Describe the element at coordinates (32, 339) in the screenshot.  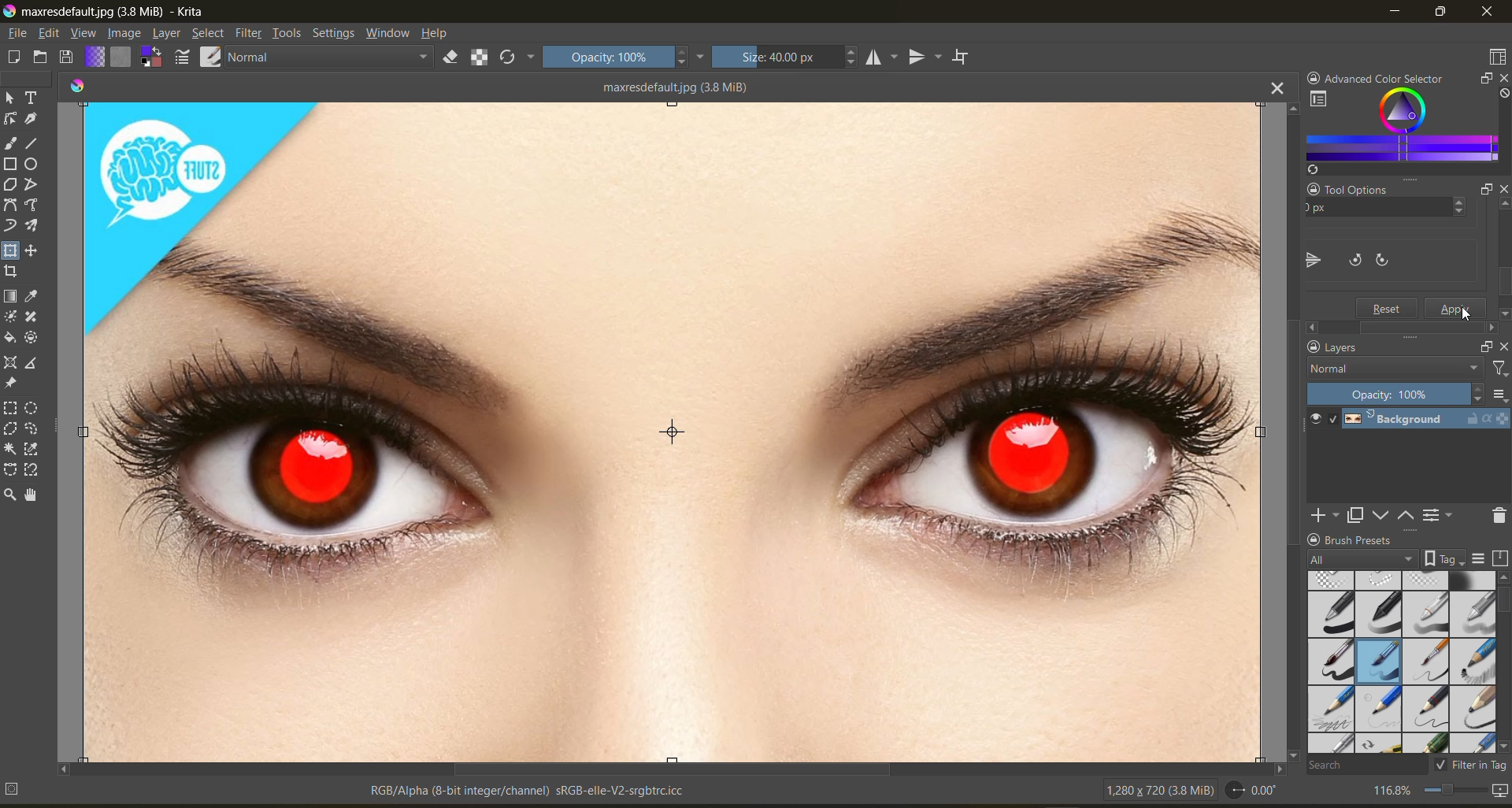
I see `tool` at that location.